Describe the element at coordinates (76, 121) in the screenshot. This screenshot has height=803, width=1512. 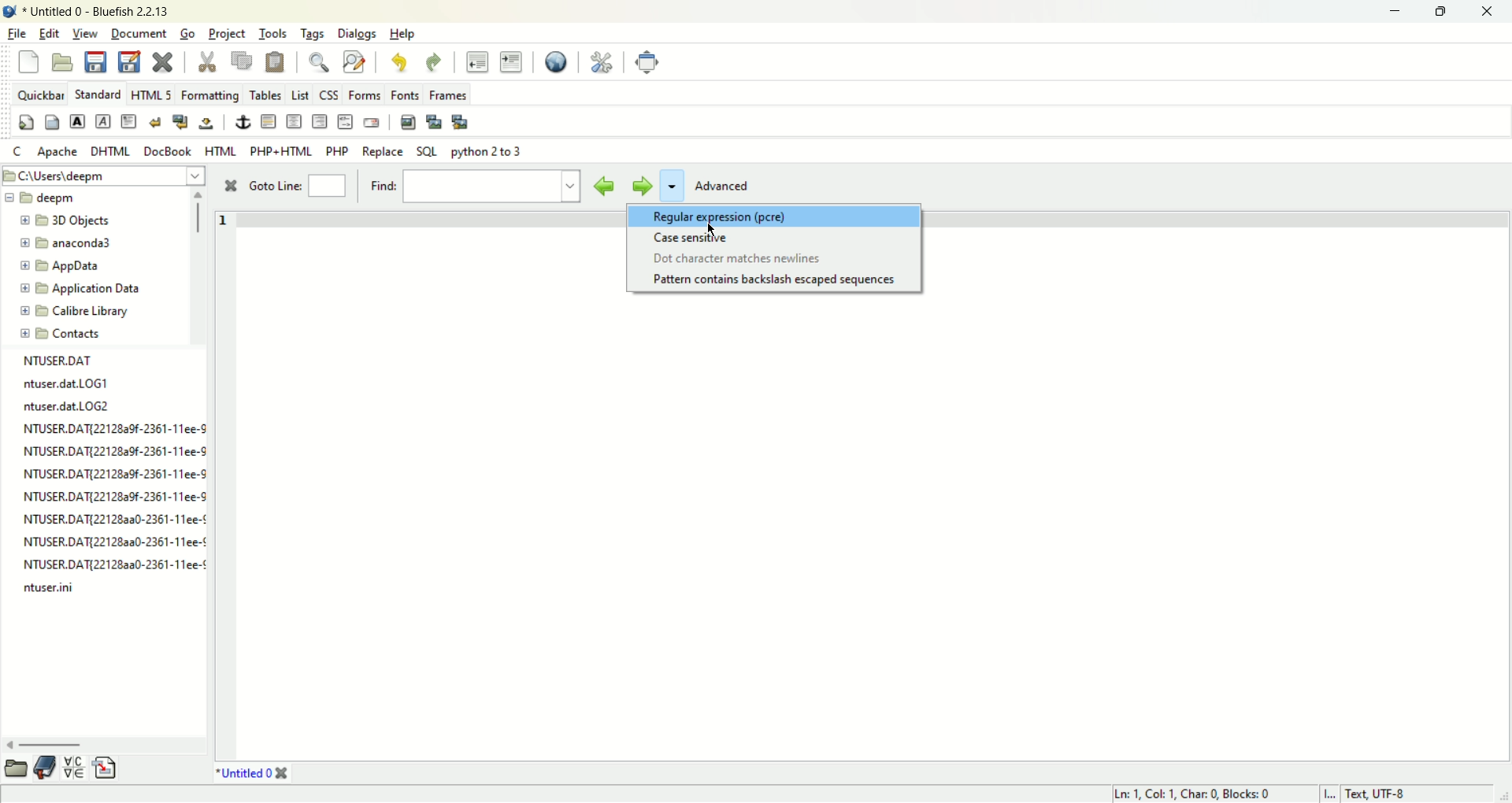
I see `strong` at that location.